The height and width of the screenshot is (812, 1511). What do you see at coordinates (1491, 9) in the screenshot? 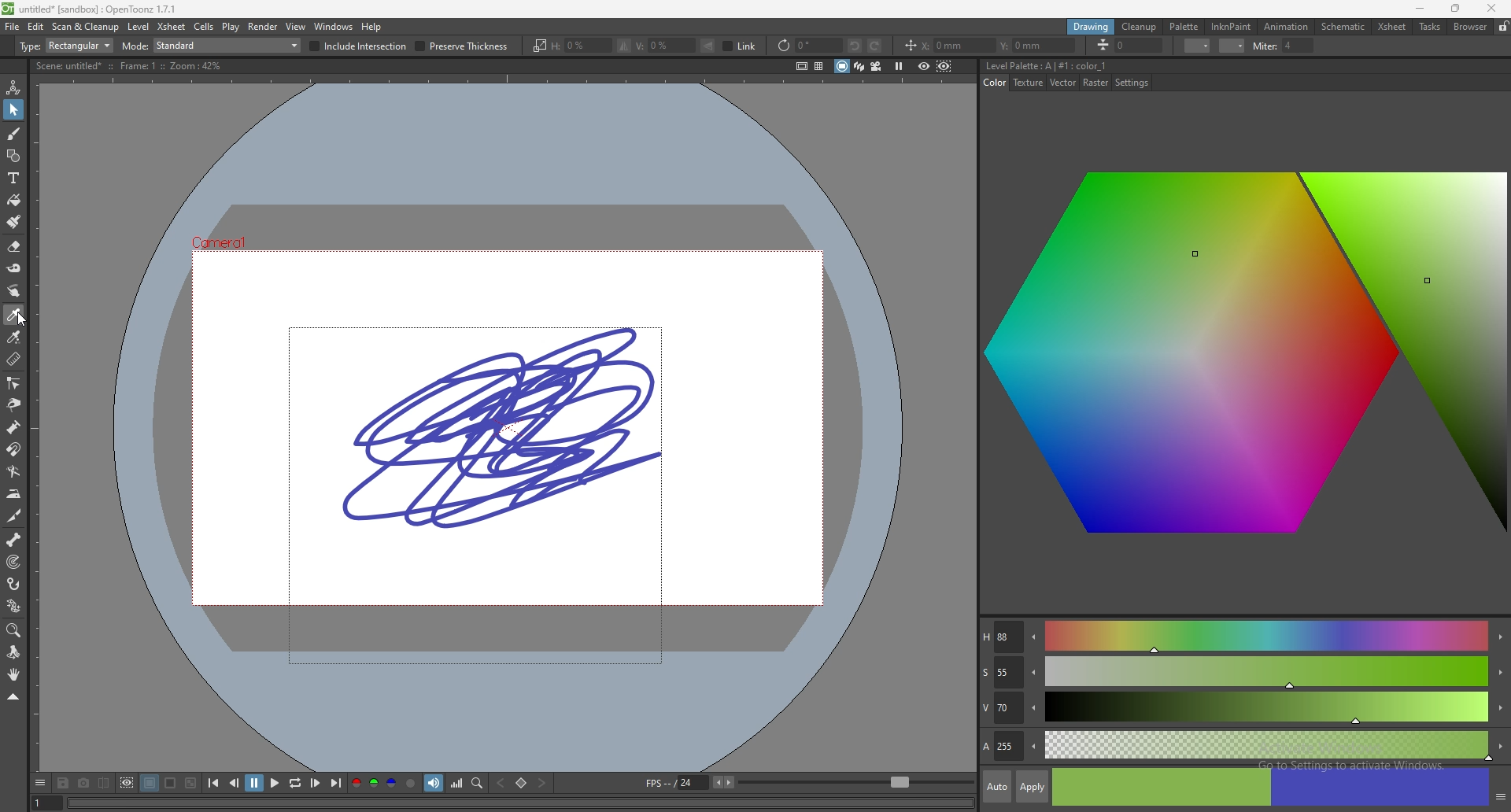
I see `close` at bounding box center [1491, 9].